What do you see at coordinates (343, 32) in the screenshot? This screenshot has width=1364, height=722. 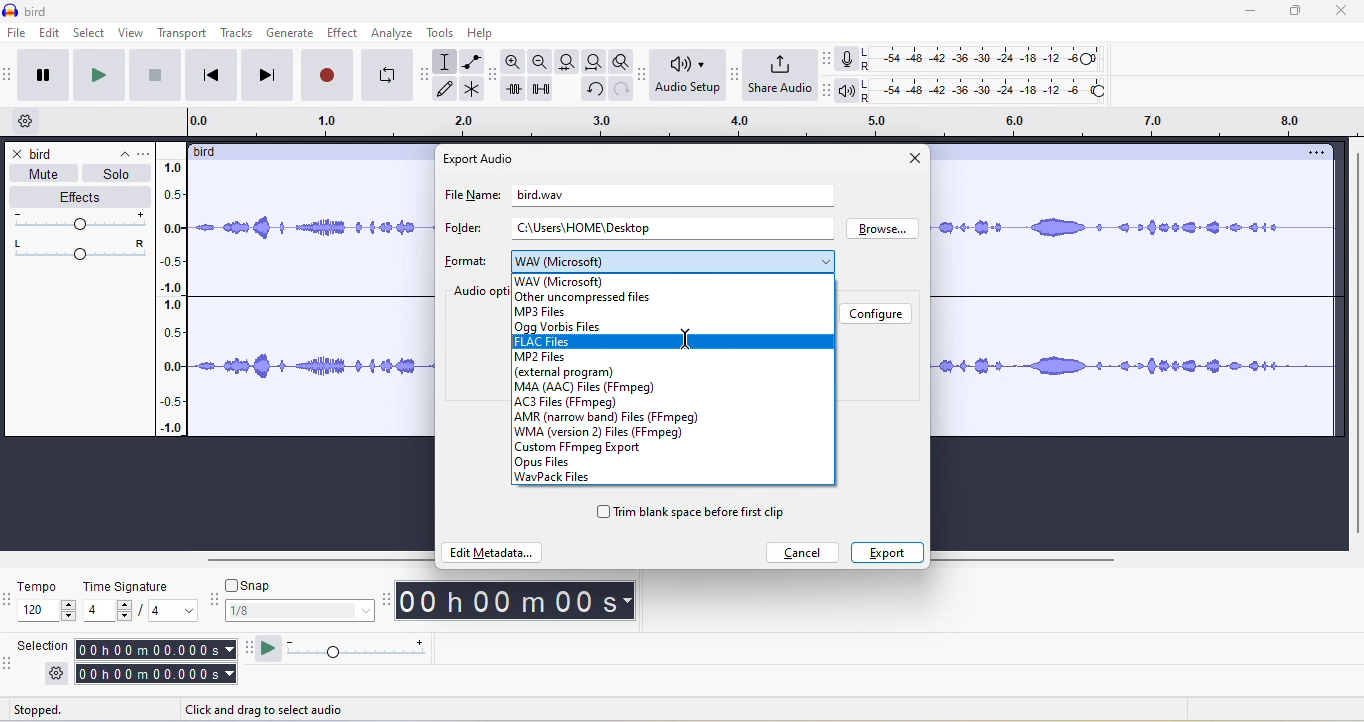 I see `effect` at bounding box center [343, 32].